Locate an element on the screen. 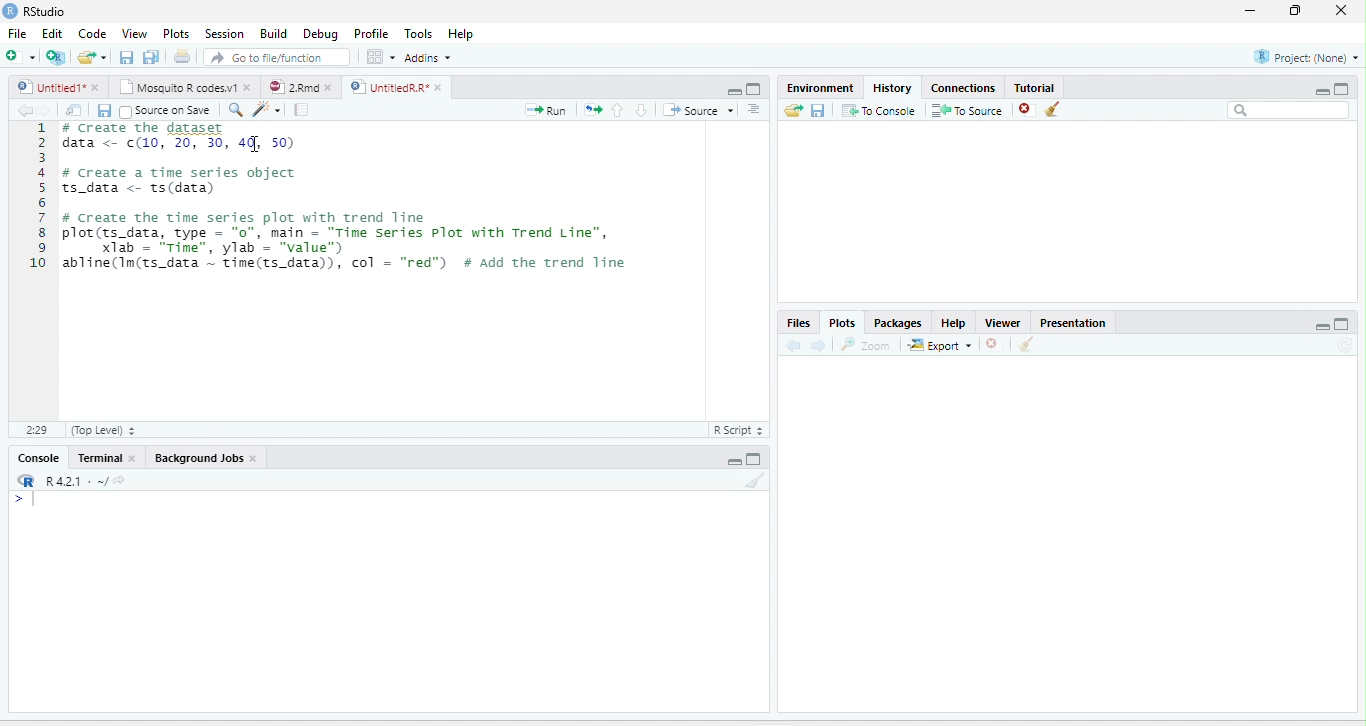 The height and width of the screenshot is (726, 1366). Export is located at coordinates (940, 345).